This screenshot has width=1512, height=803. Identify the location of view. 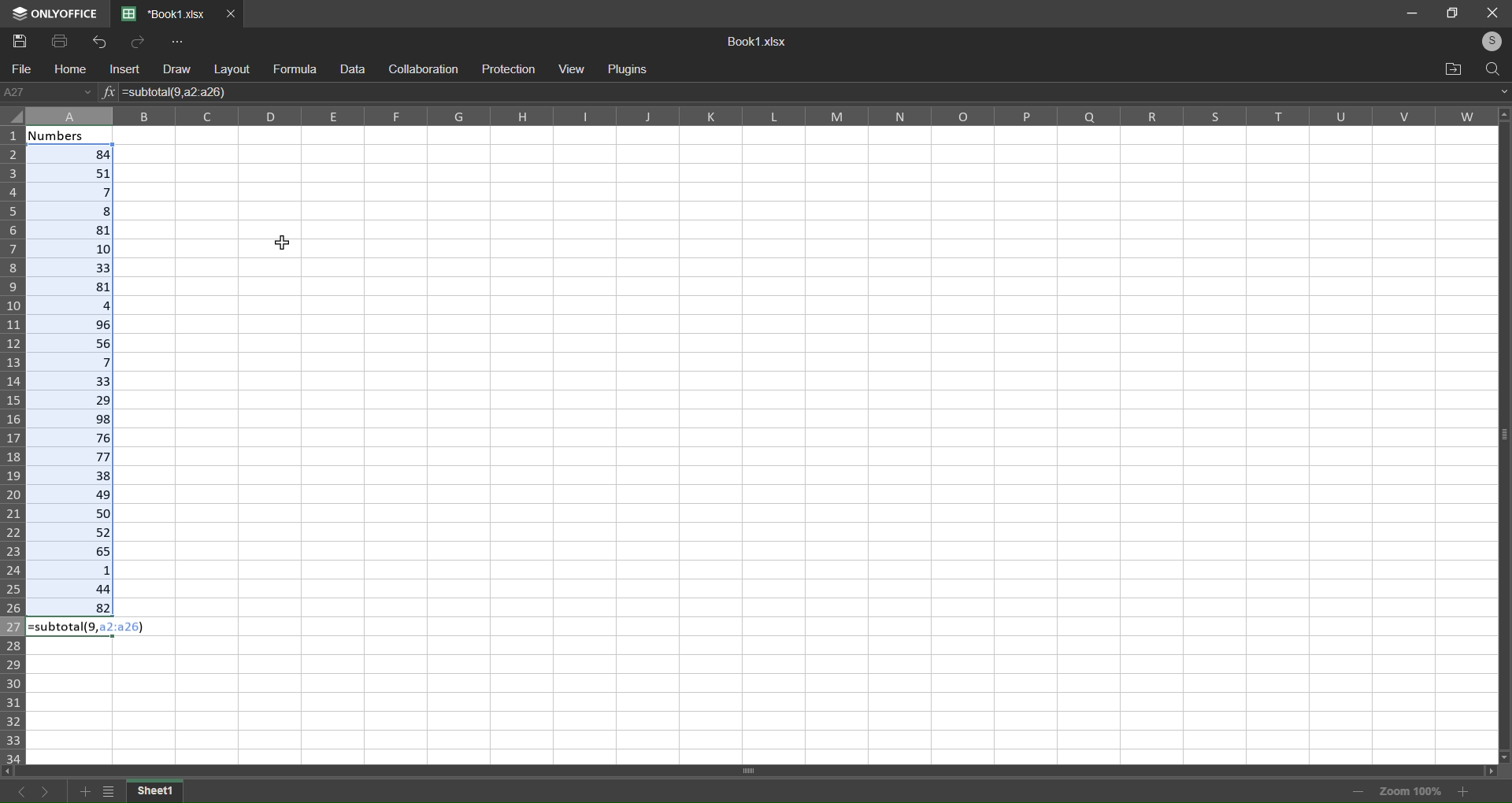
(570, 71).